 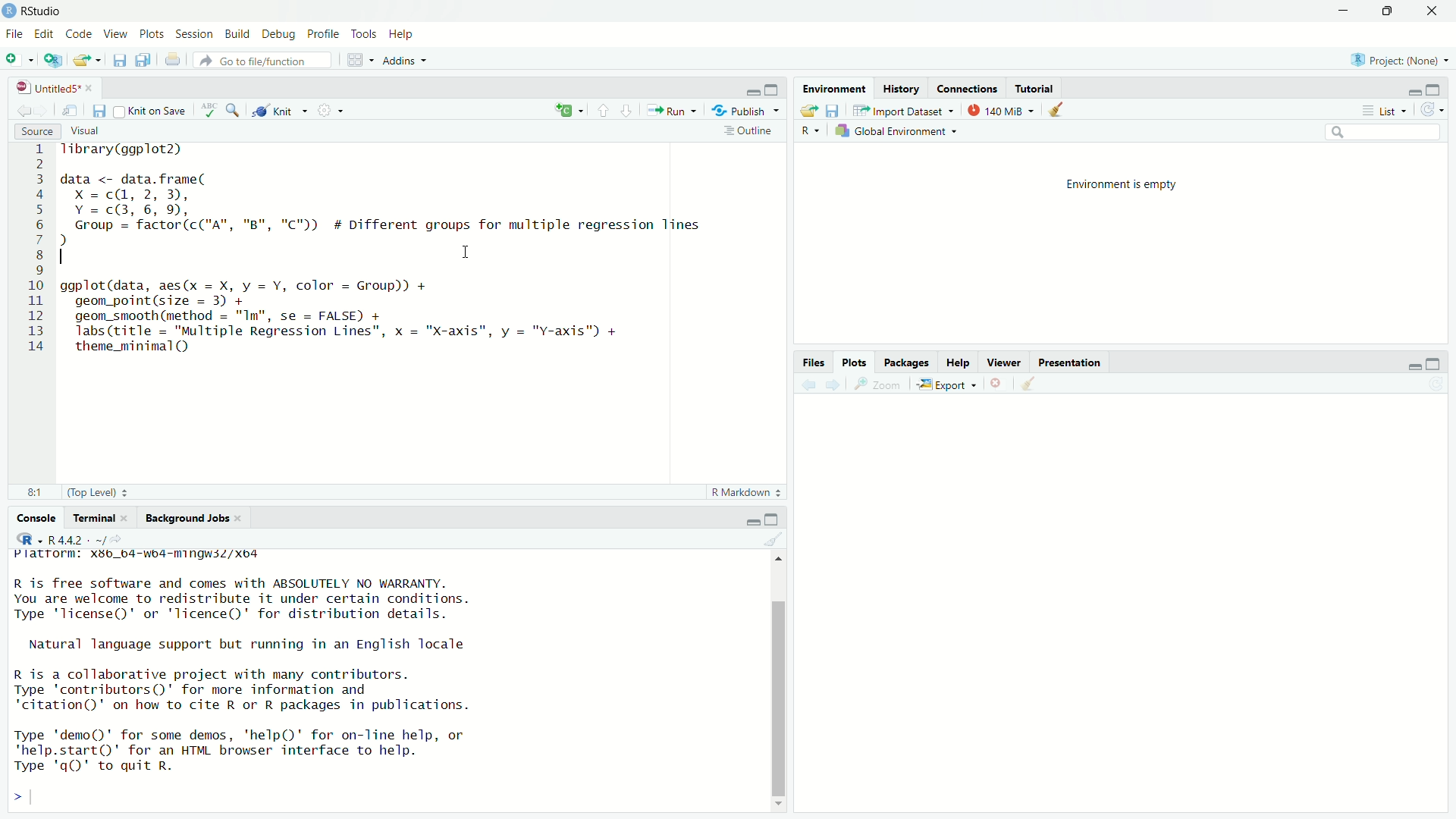 I want to click on , so click(x=813, y=361).